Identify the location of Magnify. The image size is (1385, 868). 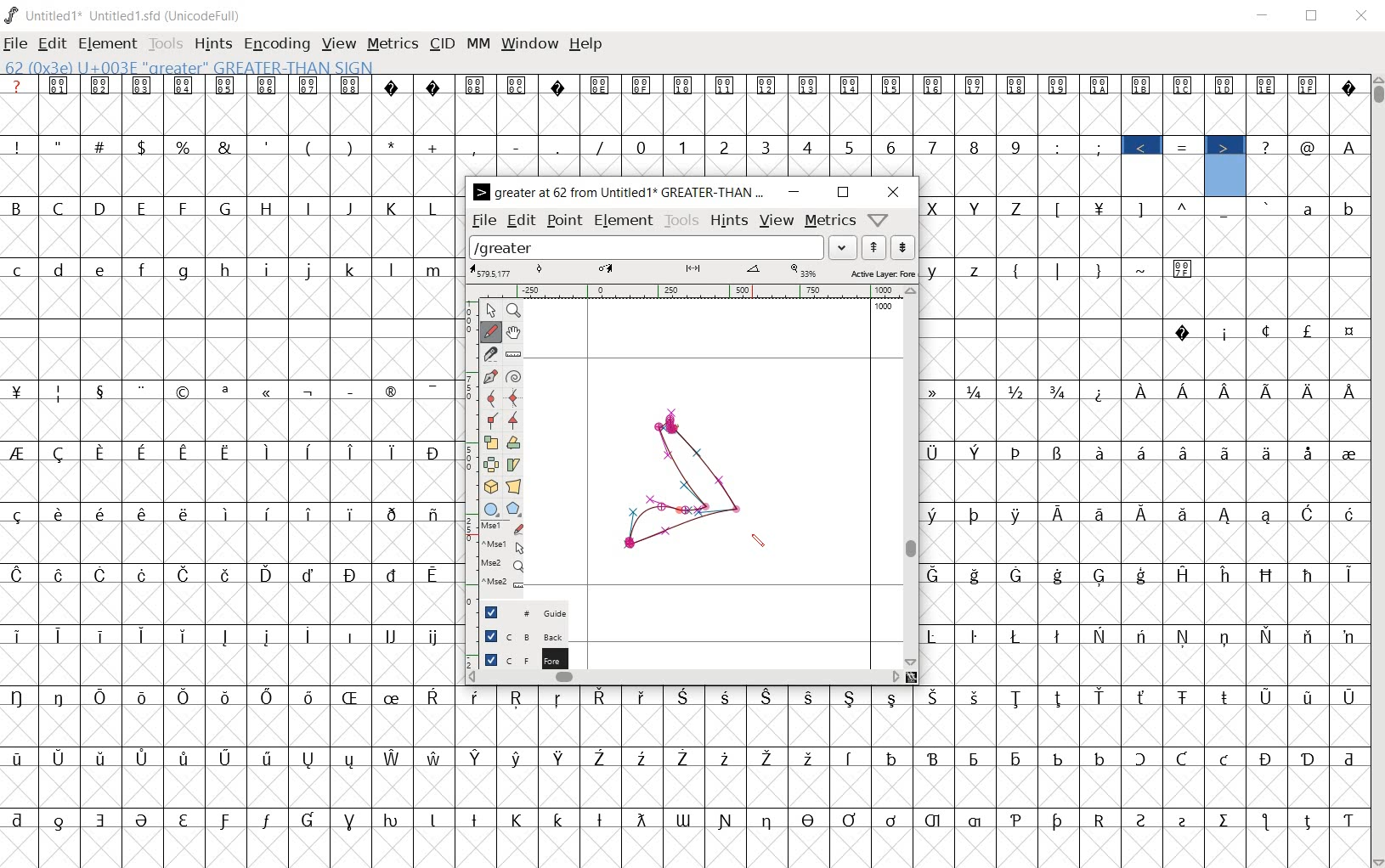
(515, 312).